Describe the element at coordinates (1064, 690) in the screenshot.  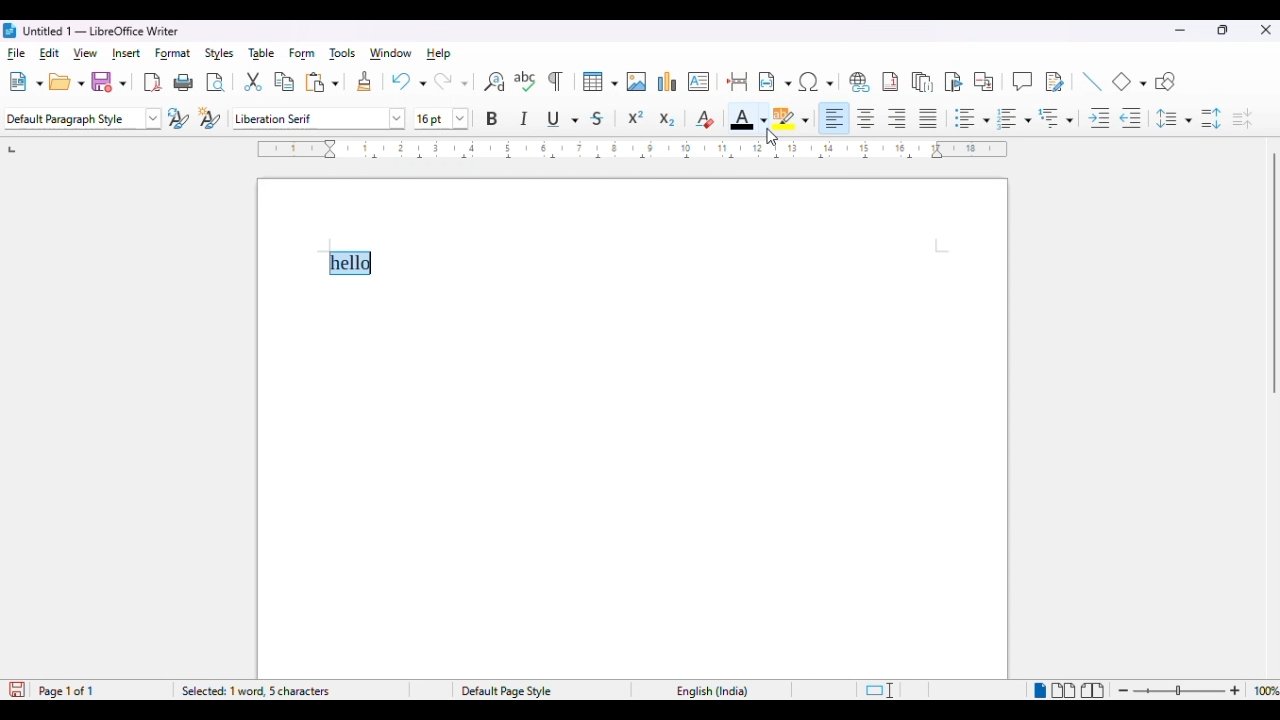
I see `multi-page view` at that location.